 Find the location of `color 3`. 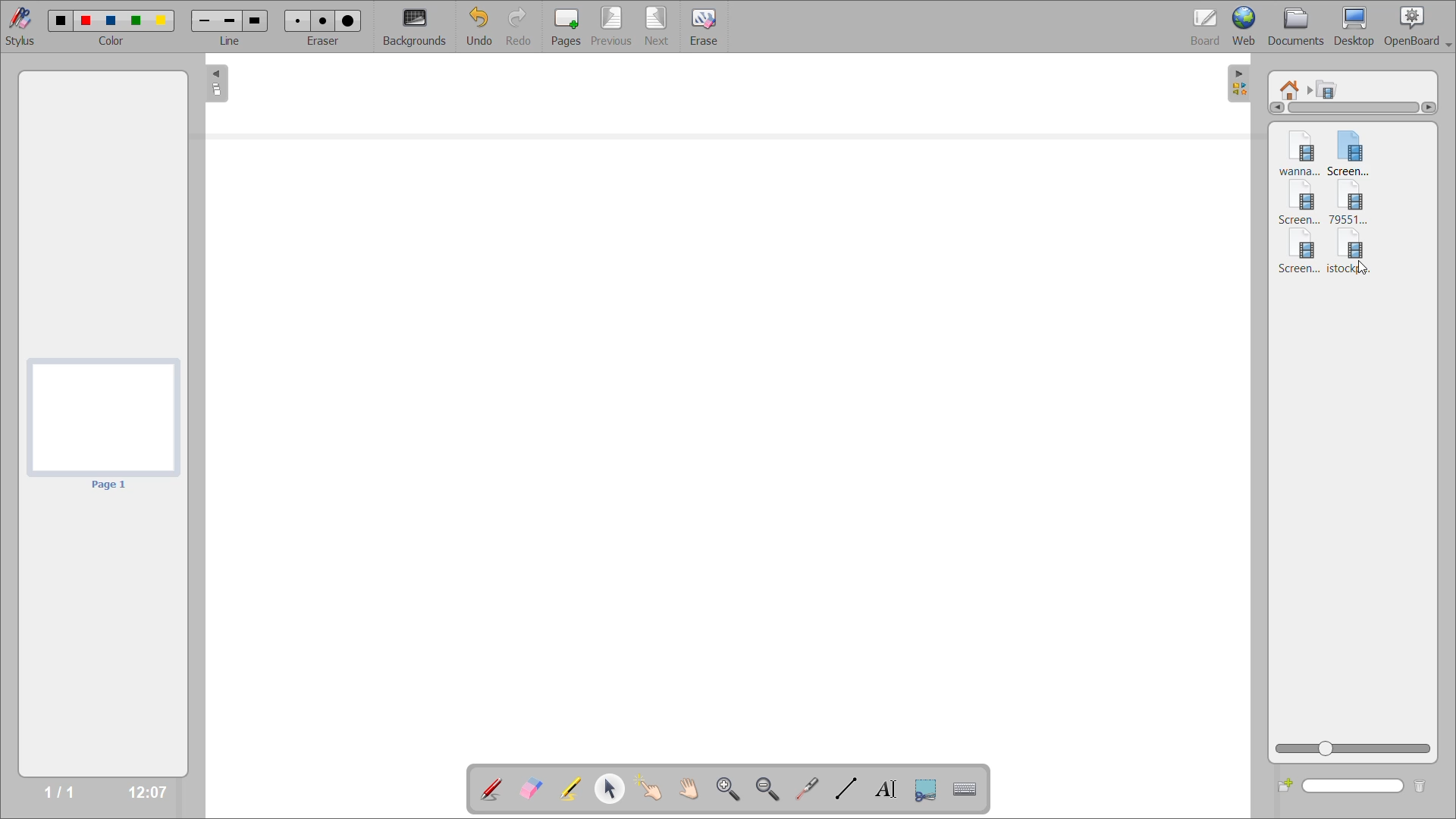

color 3 is located at coordinates (114, 20).